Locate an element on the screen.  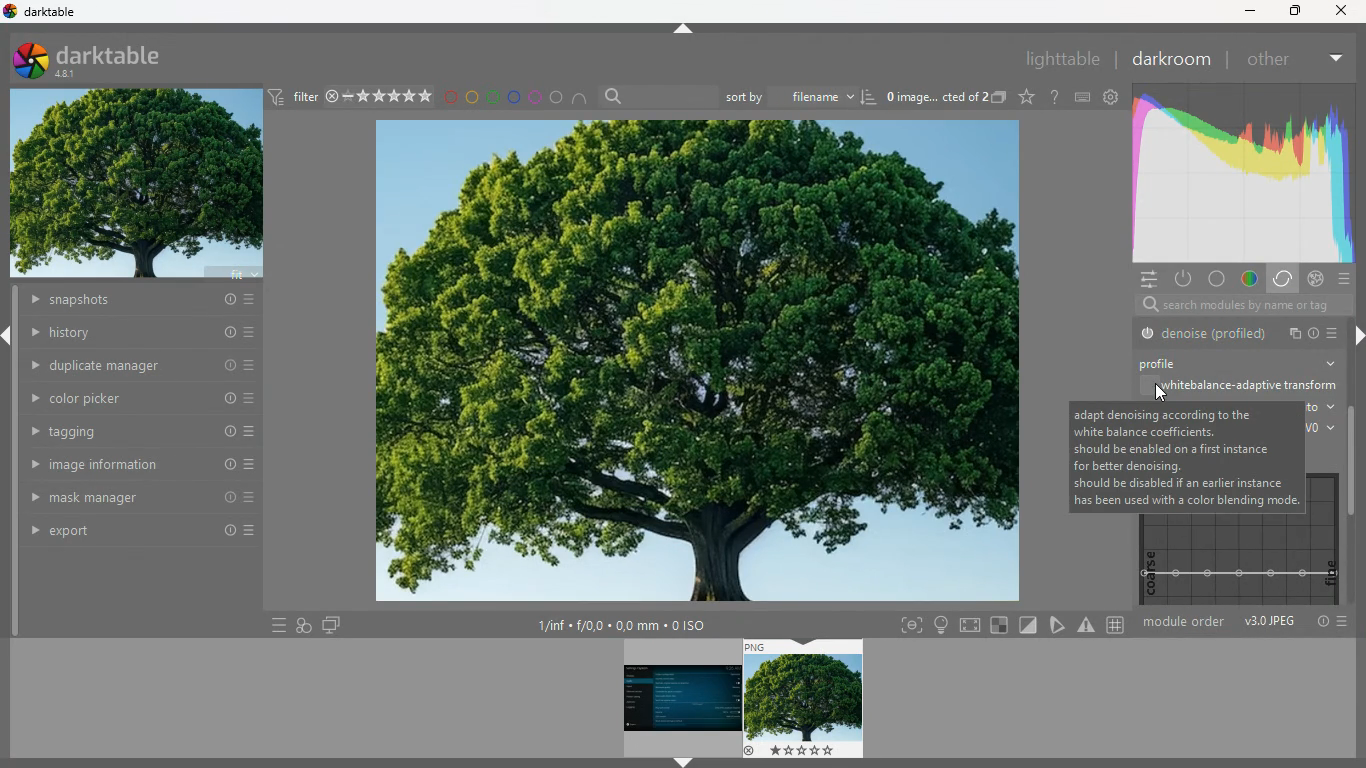
search is located at coordinates (1260, 305).